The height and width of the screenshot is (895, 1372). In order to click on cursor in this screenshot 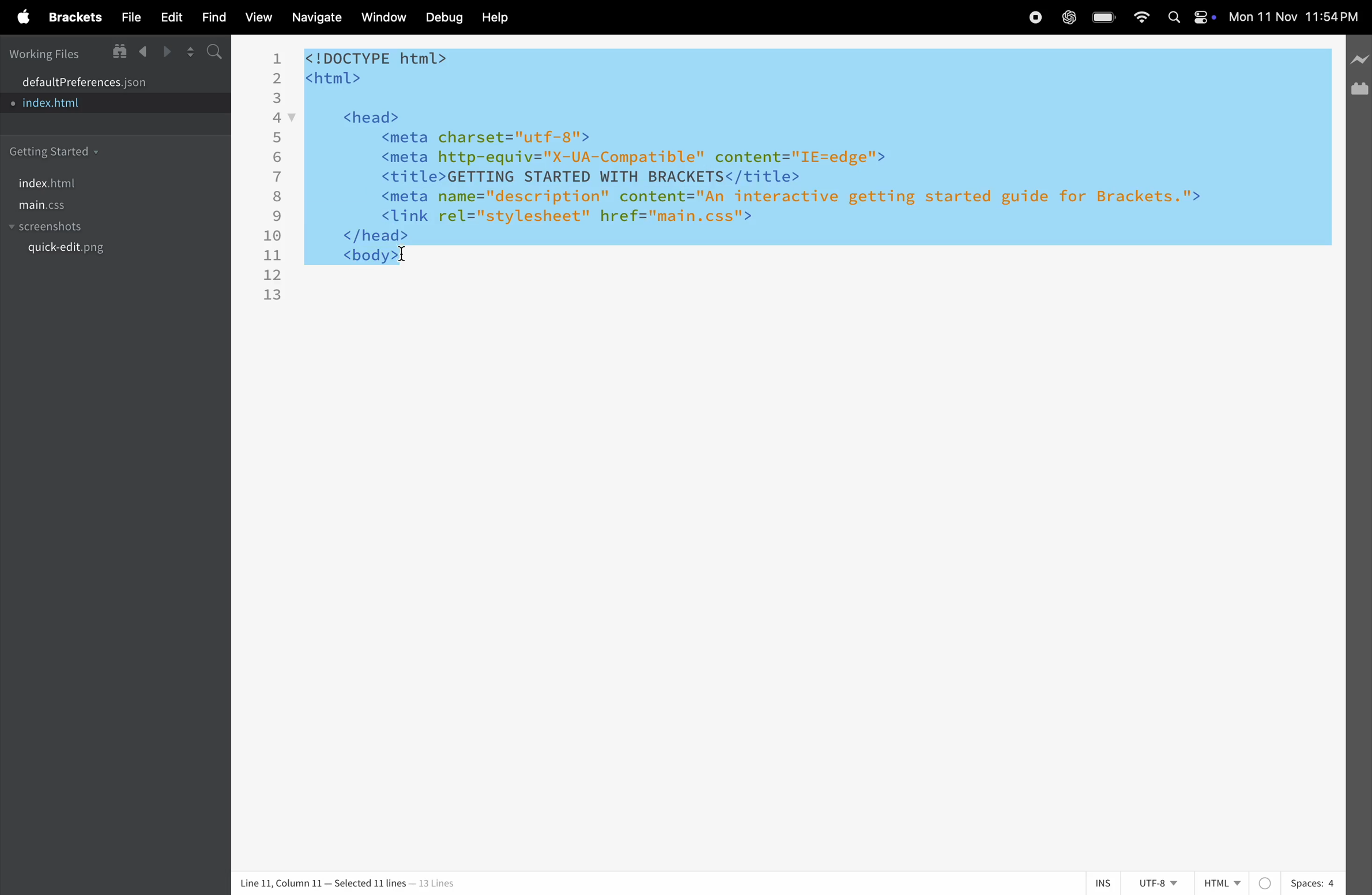, I will do `click(409, 257)`.